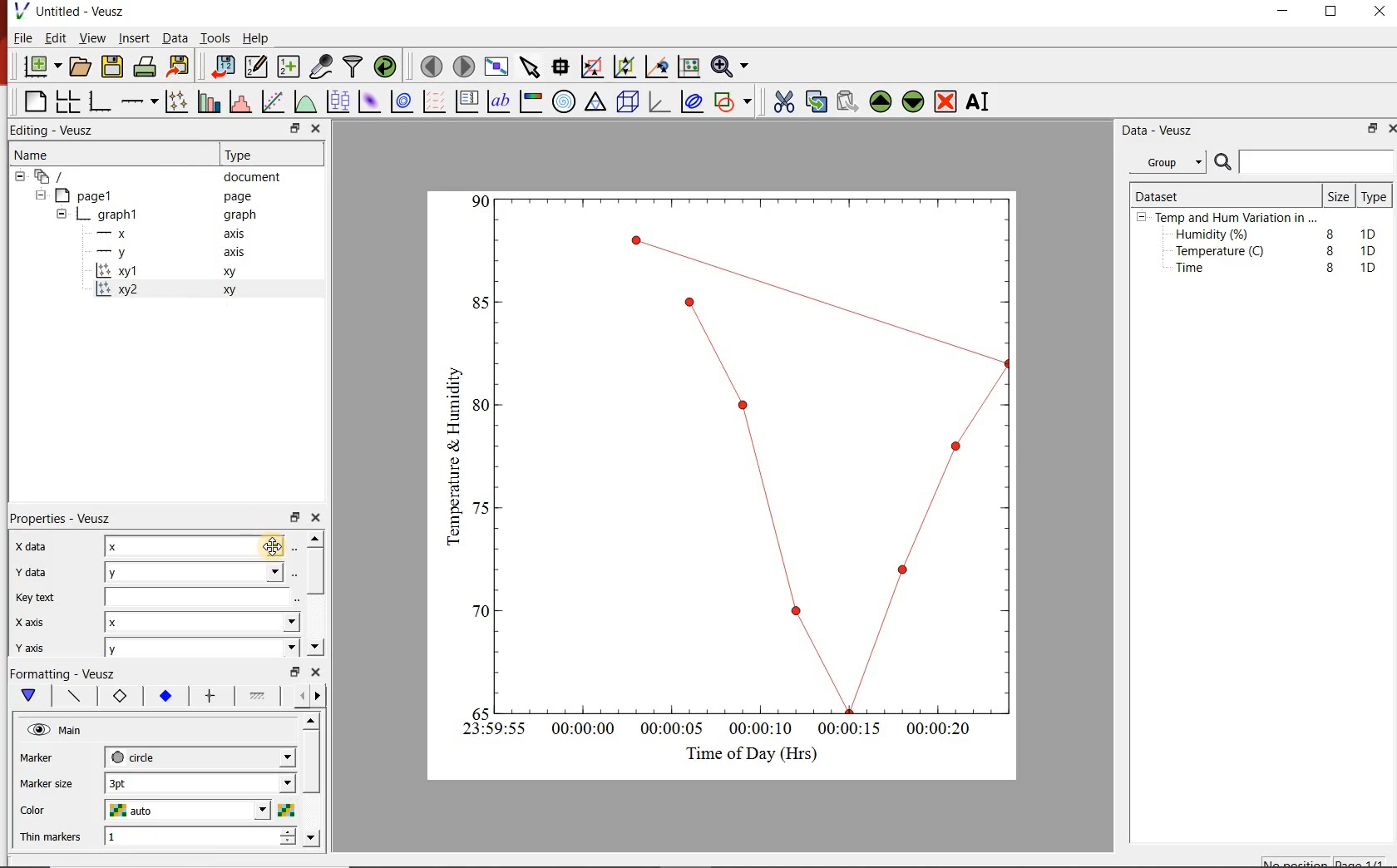 The height and width of the screenshot is (868, 1397). What do you see at coordinates (238, 254) in the screenshot?
I see `axis` at bounding box center [238, 254].